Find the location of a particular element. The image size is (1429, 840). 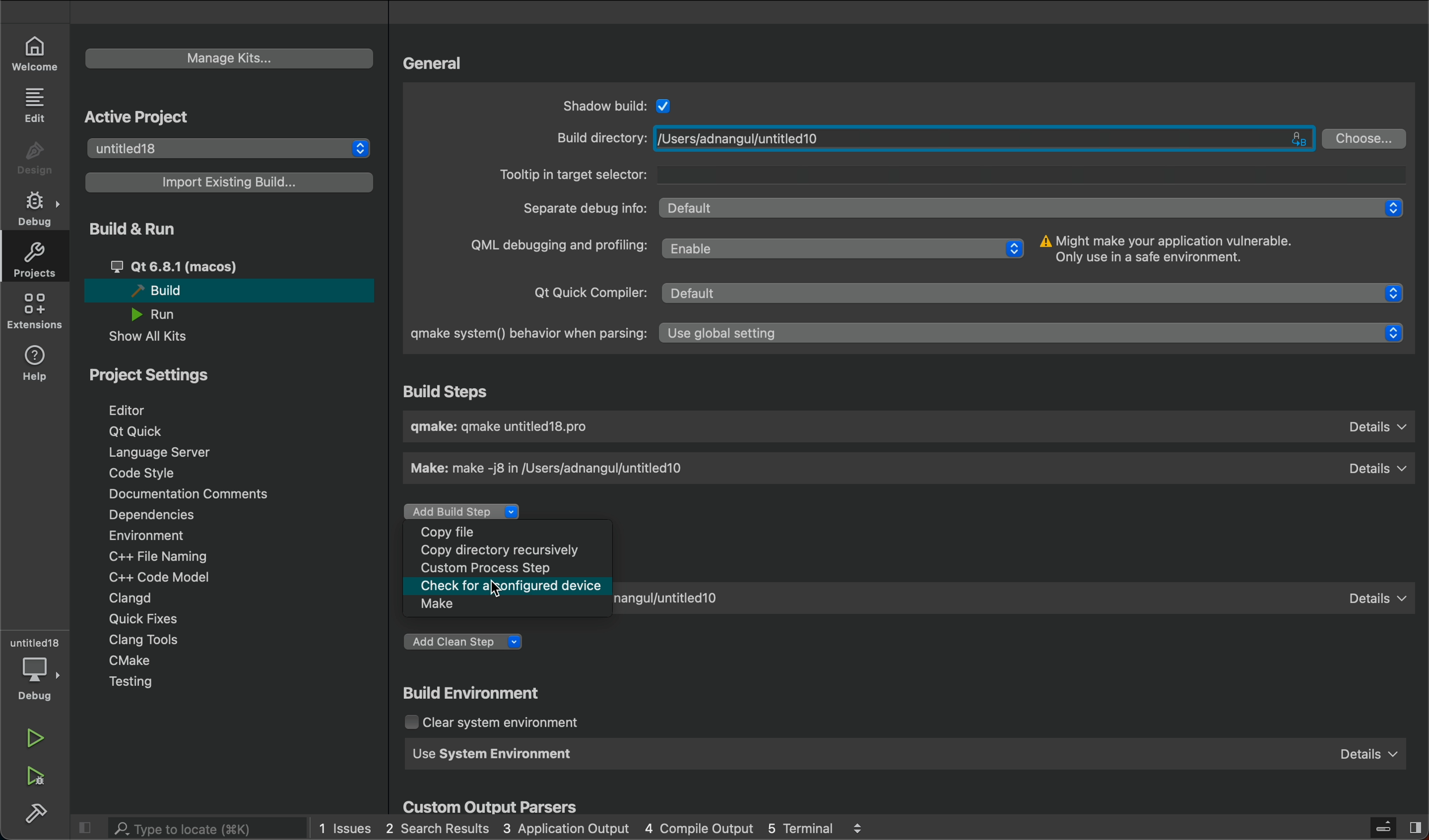

/Users/adnangul/untitled10 is located at coordinates (983, 138).